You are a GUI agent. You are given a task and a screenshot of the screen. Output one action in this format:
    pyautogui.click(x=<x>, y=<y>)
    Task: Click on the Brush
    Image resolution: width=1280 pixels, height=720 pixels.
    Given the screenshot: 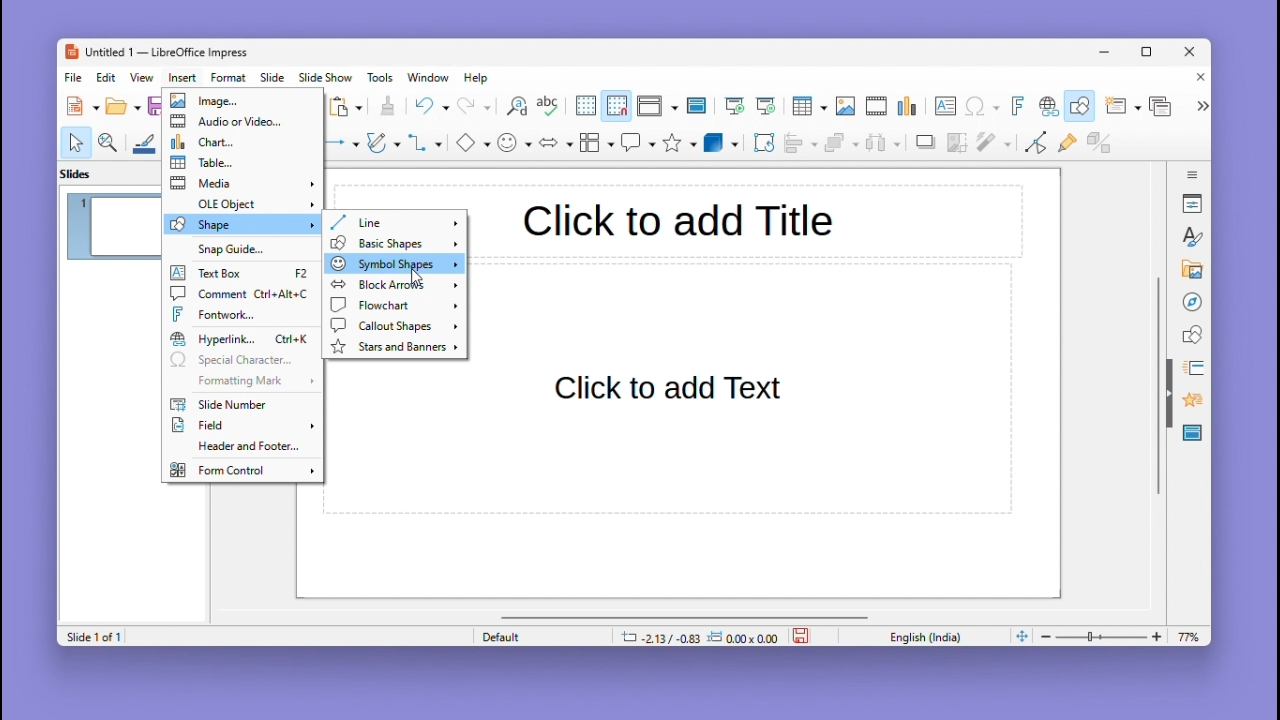 What is the action you would take?
    pyautogui.click(x=145, y=140)
    